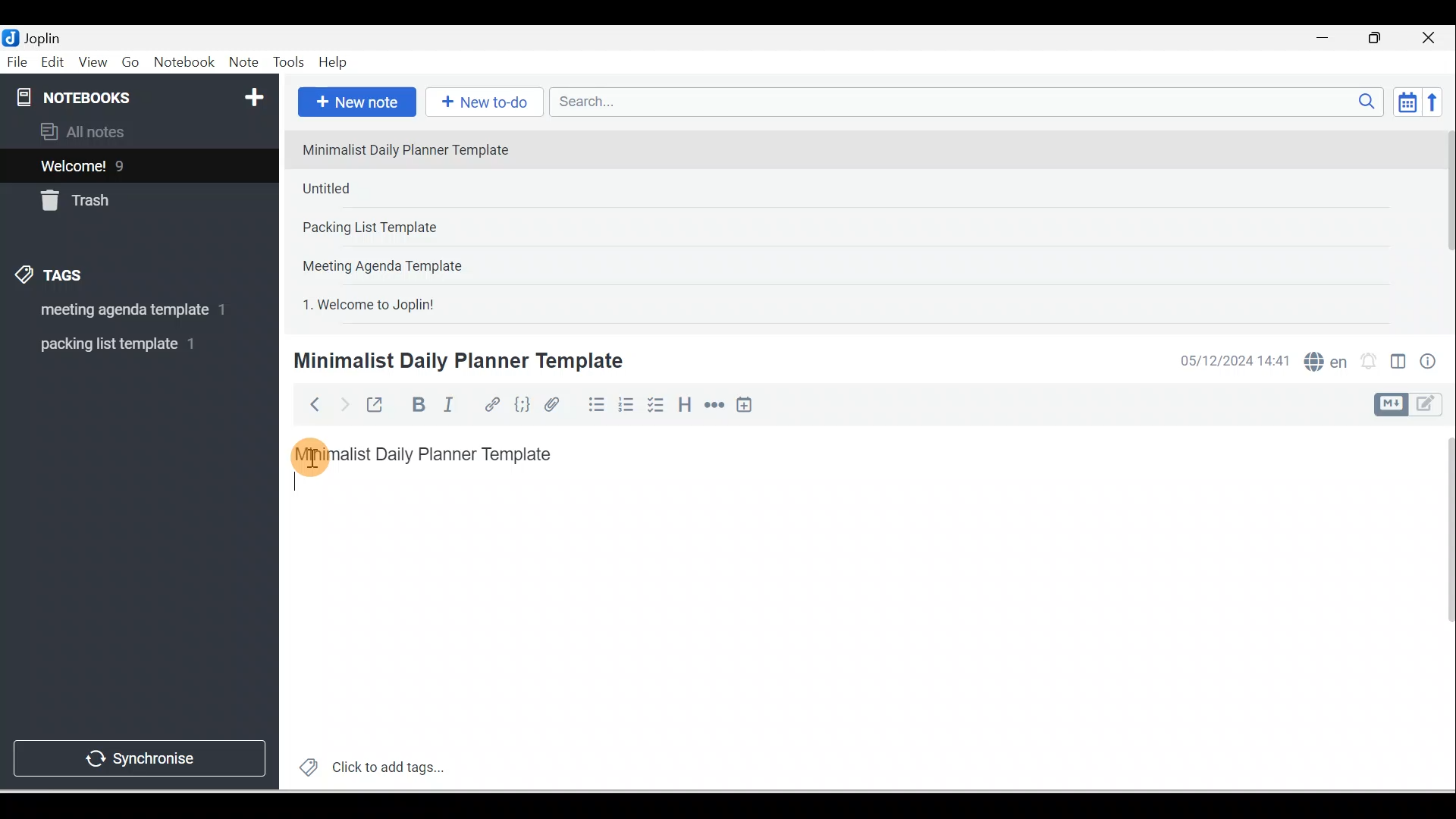  Describe the element at coordinates (1327, 39) in the screenshot. I see `Minimise` at that location.